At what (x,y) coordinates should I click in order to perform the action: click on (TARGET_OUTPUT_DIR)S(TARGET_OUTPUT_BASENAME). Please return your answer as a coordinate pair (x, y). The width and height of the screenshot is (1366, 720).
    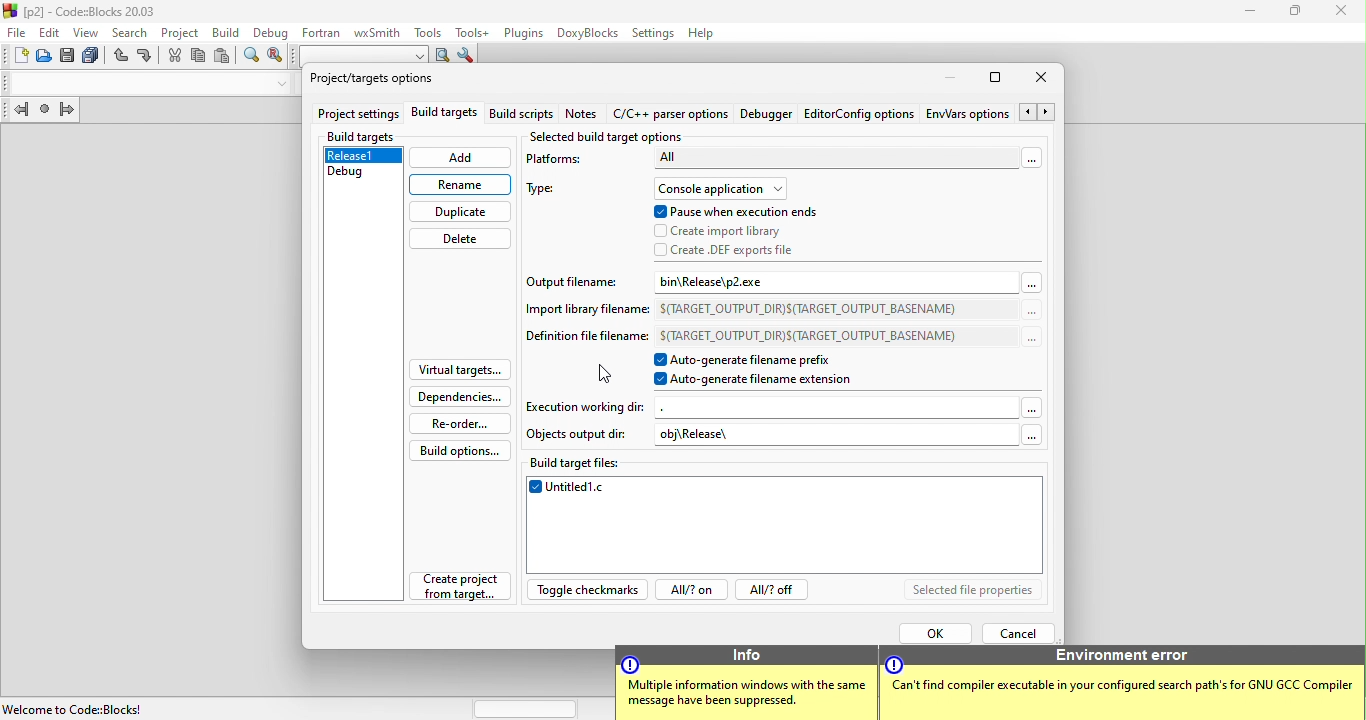
    Looking at the image, I should click on (807, 333).